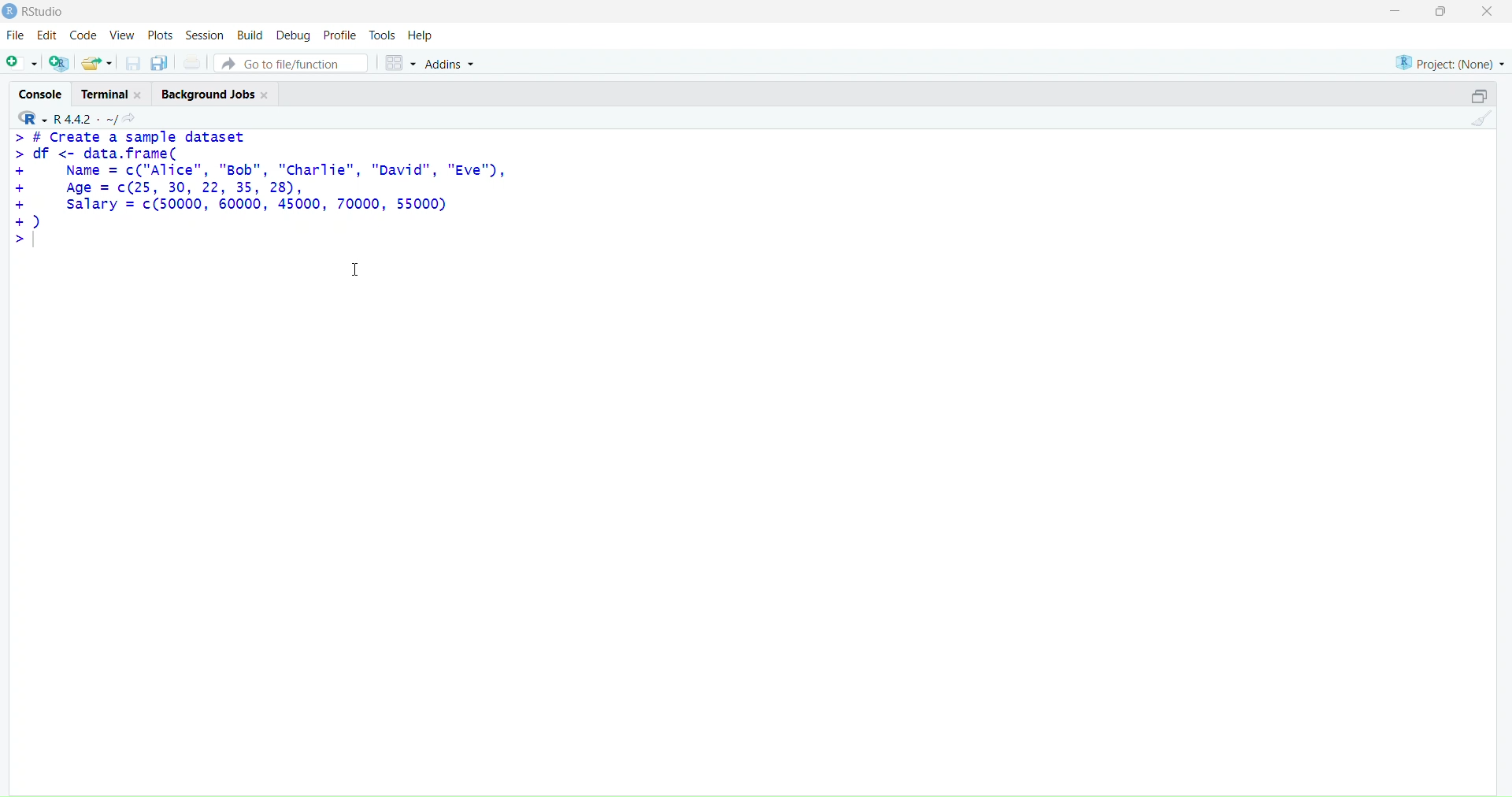 Image resolution: width=1512 pixels, height=797 pixels. I want to click on Rstudio, so click(36, 12).